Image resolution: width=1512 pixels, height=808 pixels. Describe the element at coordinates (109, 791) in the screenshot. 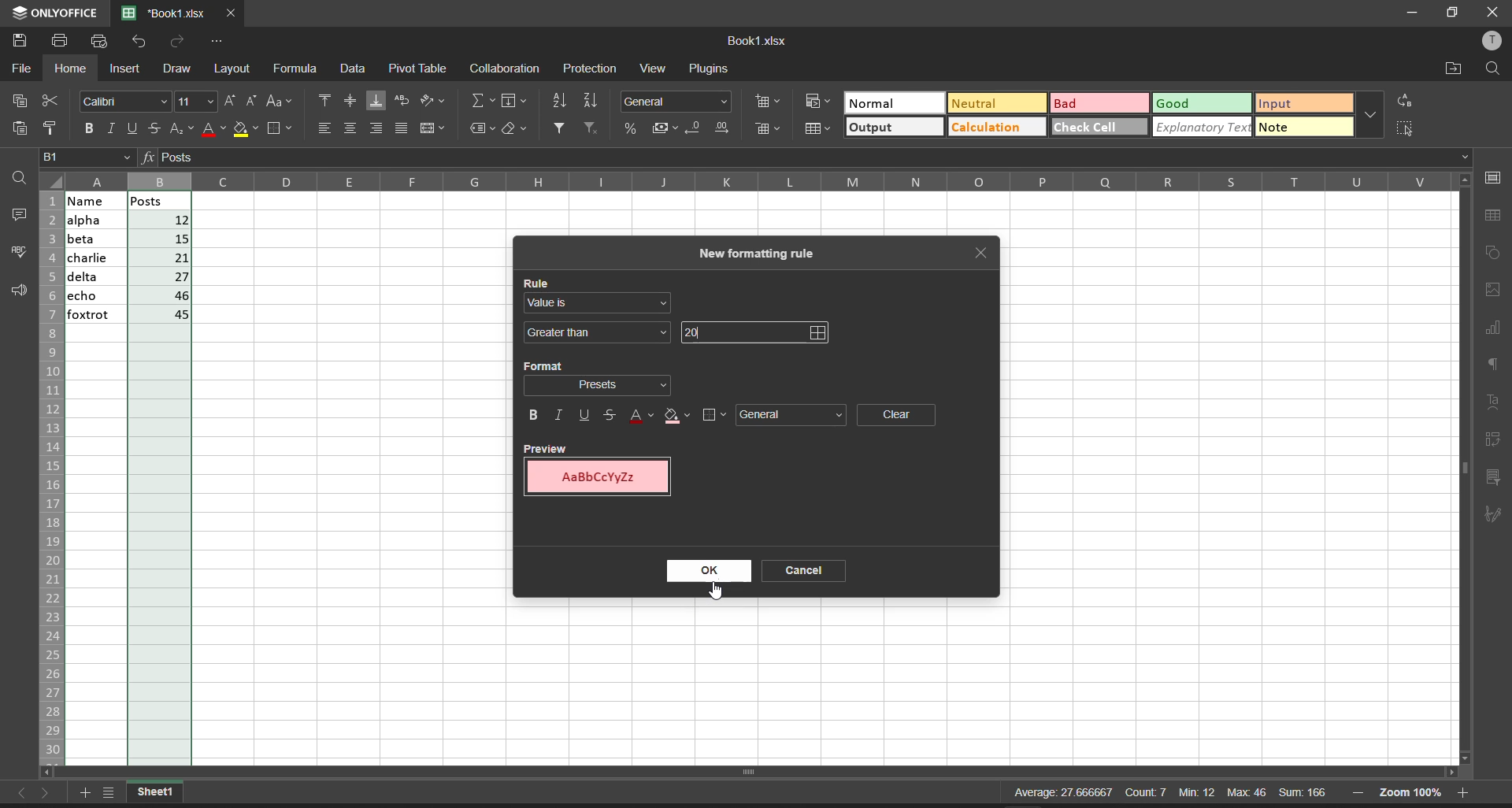

I see `list of sheets` at that location.